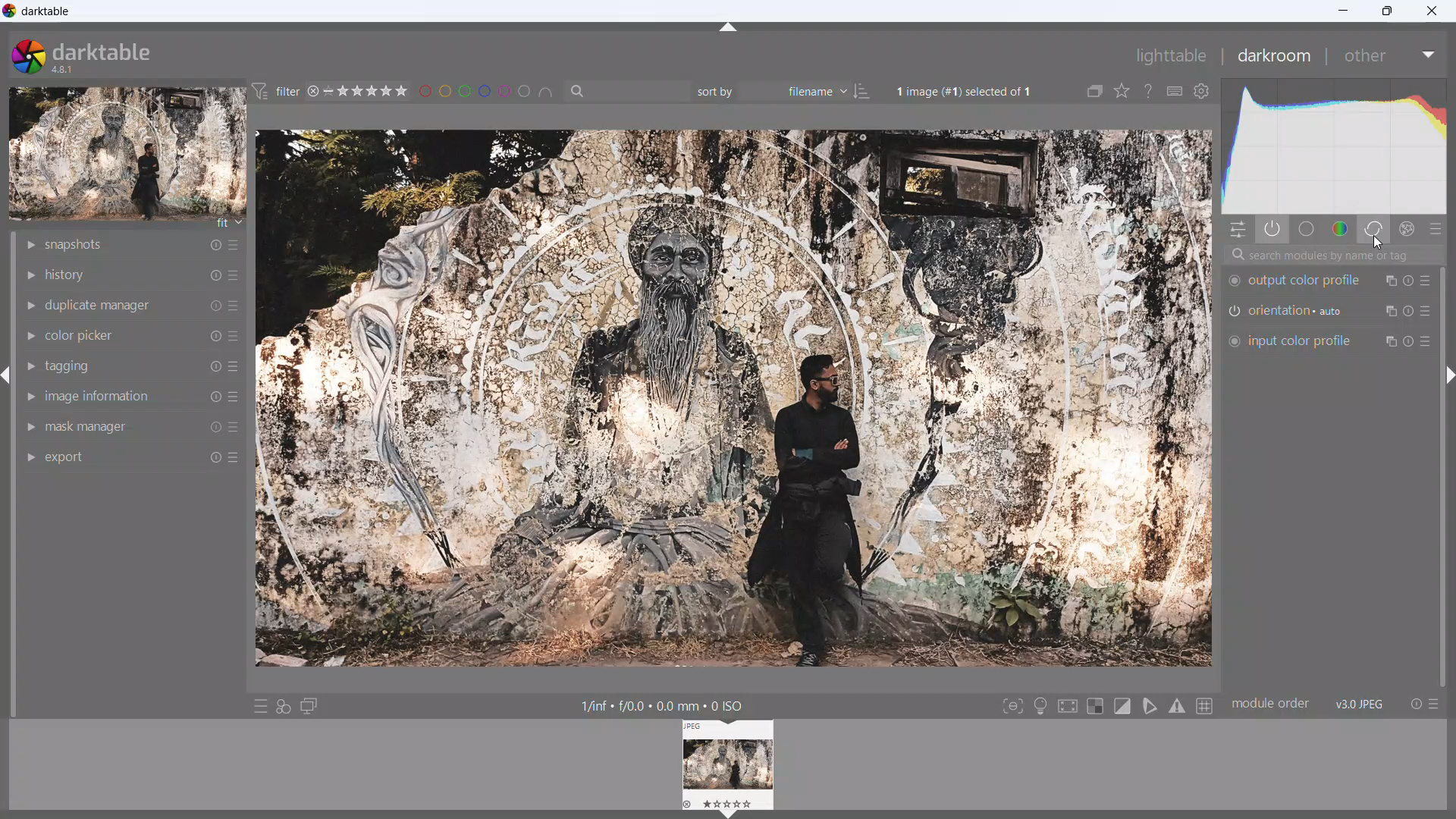 This screenshot has width=1456, height=819. I want to click on toggle indication for raw overexposure, so click(1096, 706).